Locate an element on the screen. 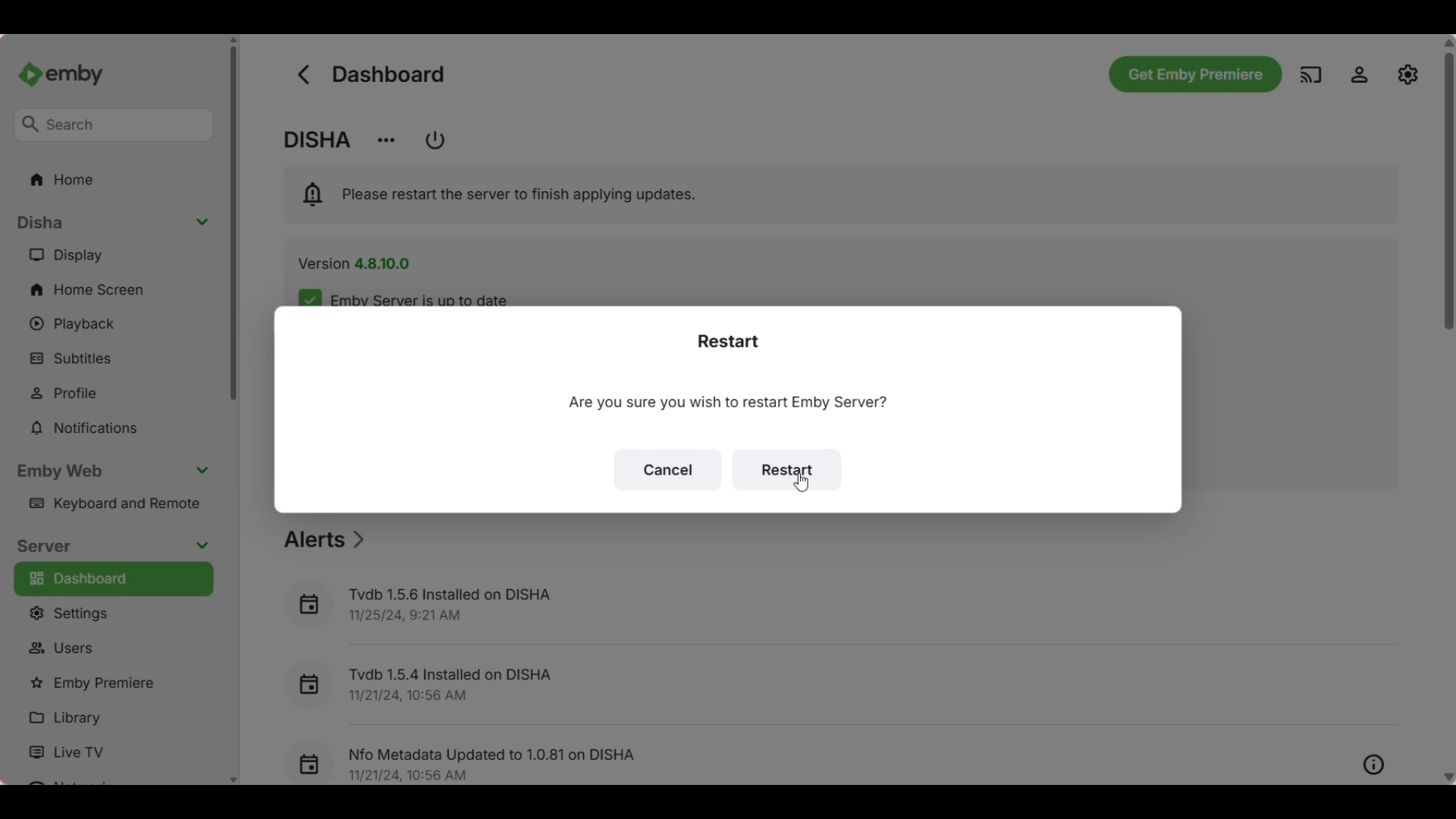 This screenshot has width=1456, height=819. Go to home button/Name and image of Emby is located at coordinates (60, 75).